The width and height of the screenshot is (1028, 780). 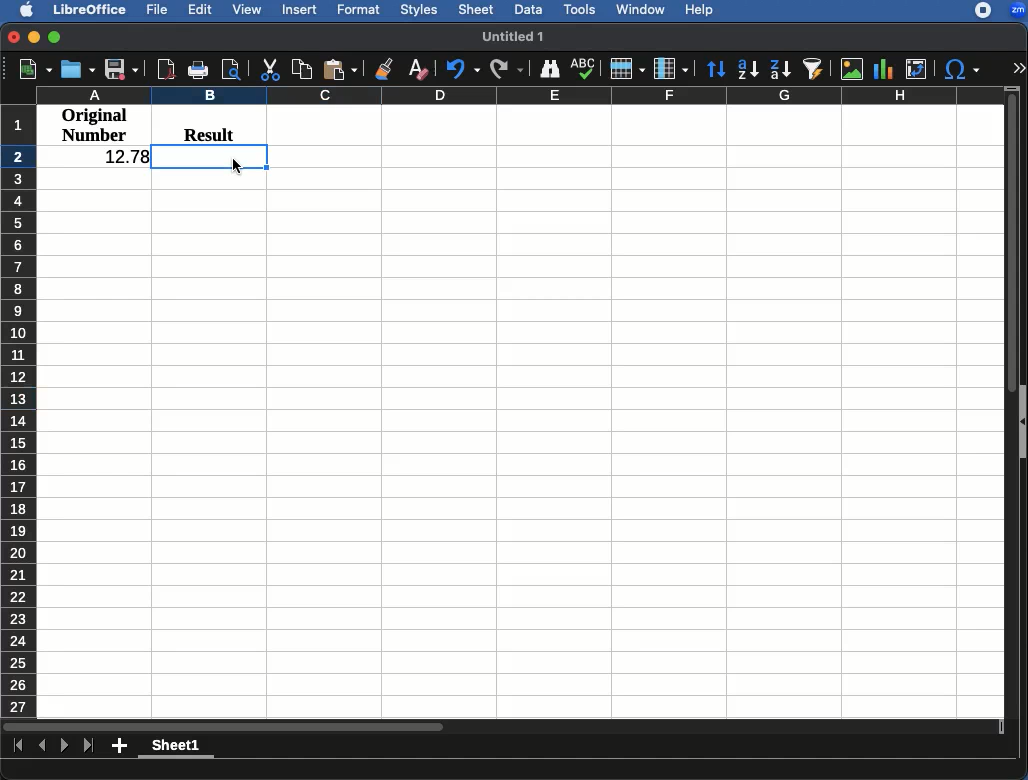 What do you see at coordinates (518, 95) in the screenshot?
I see `Columns` at bounding box center [518, 95].